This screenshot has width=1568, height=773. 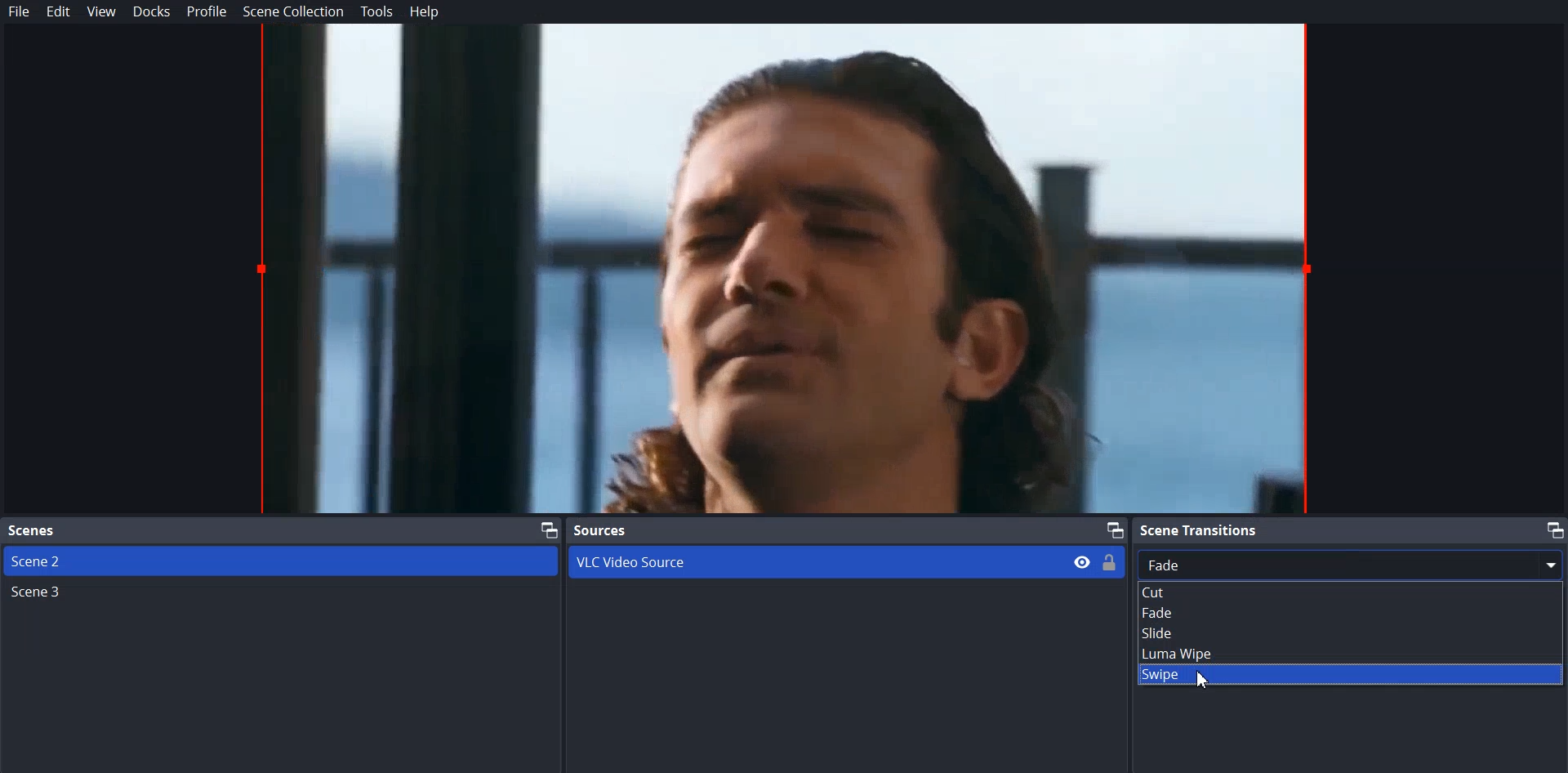 What do you see at coordinates (1348, 529) in the screenshot?
I see `Scene Transition` at bounding box center [1348, 529].